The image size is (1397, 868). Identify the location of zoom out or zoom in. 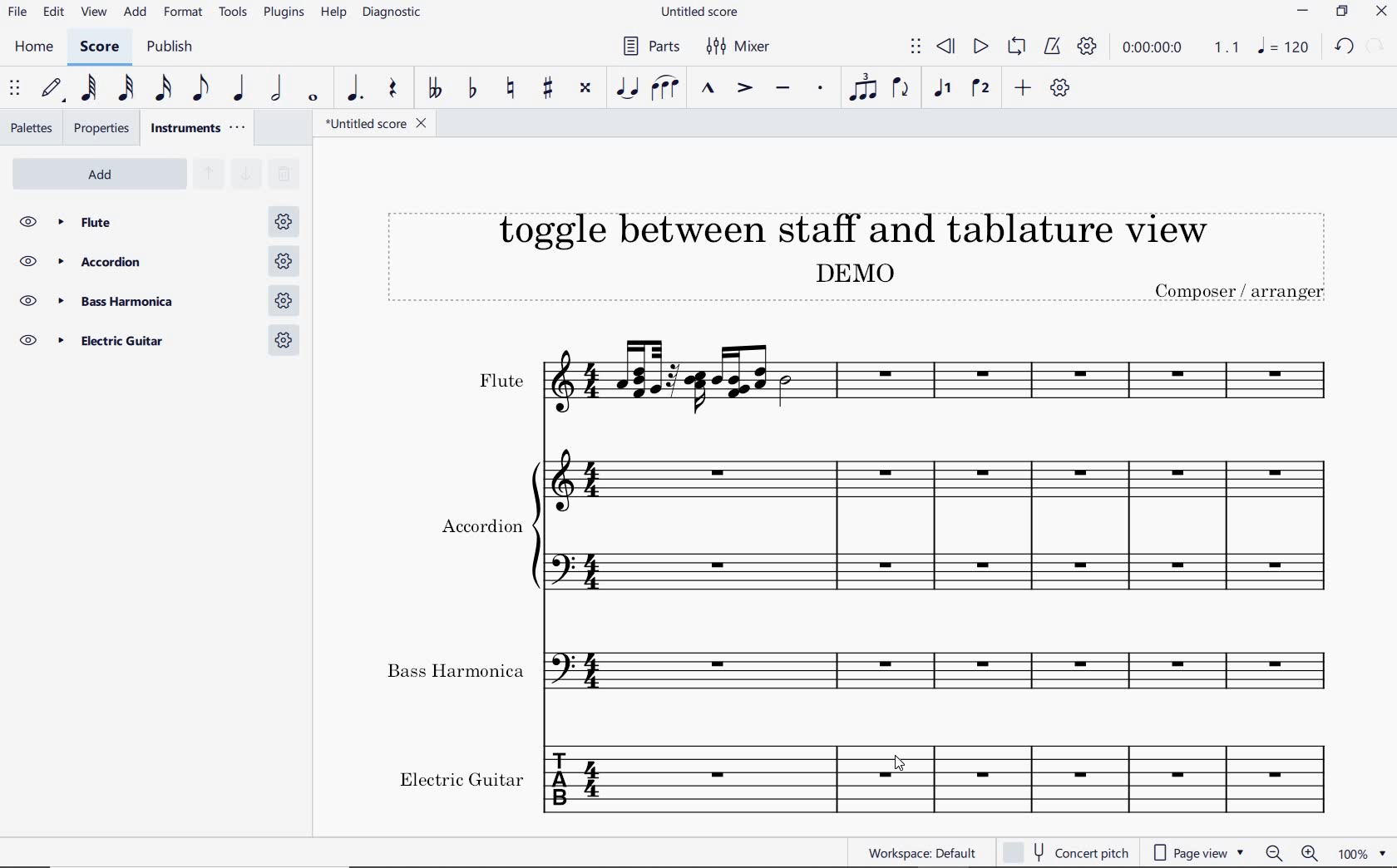
(1291, 853).